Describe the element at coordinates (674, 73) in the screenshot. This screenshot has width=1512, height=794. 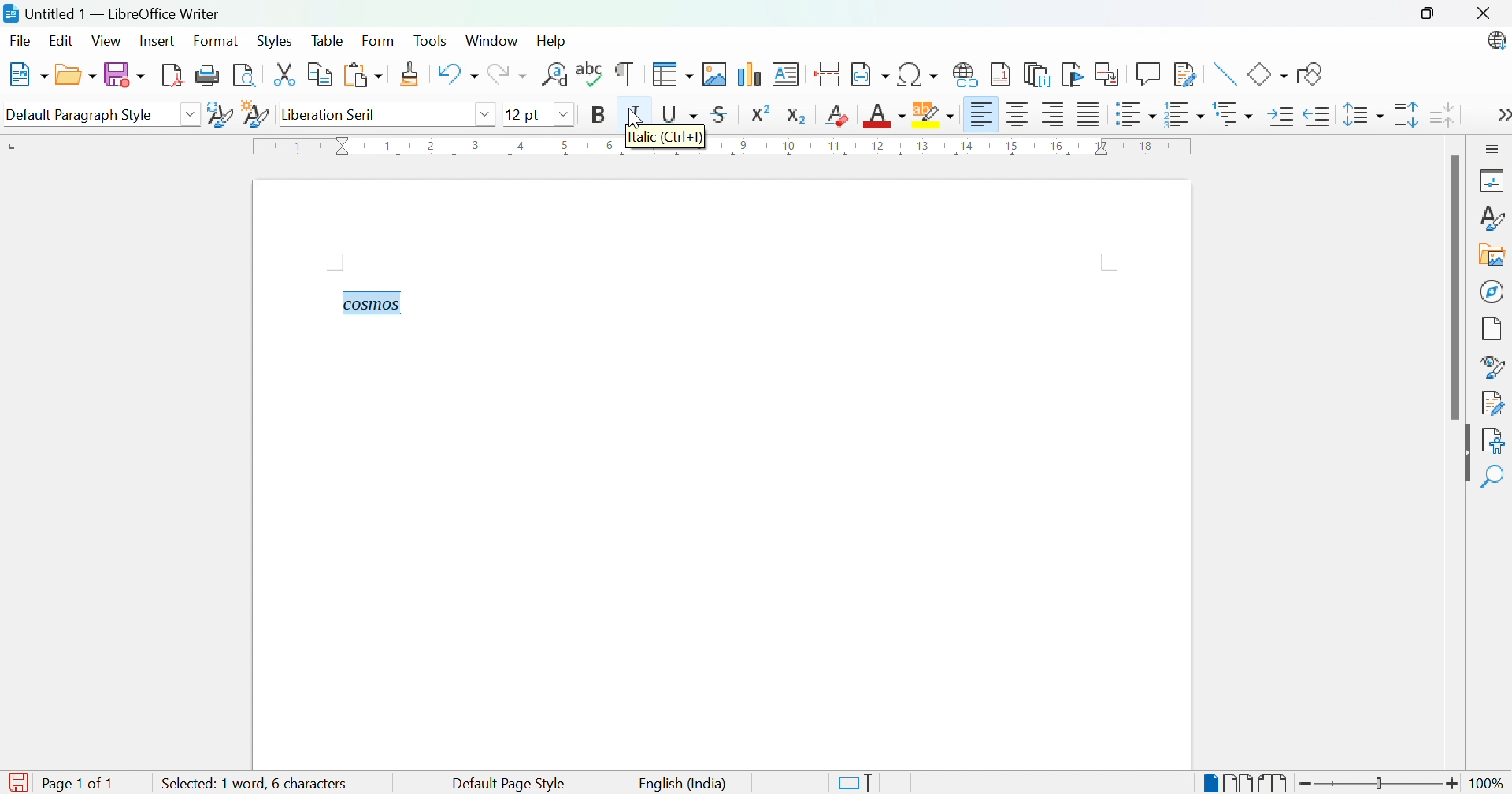
I see `Insert table` at that location.